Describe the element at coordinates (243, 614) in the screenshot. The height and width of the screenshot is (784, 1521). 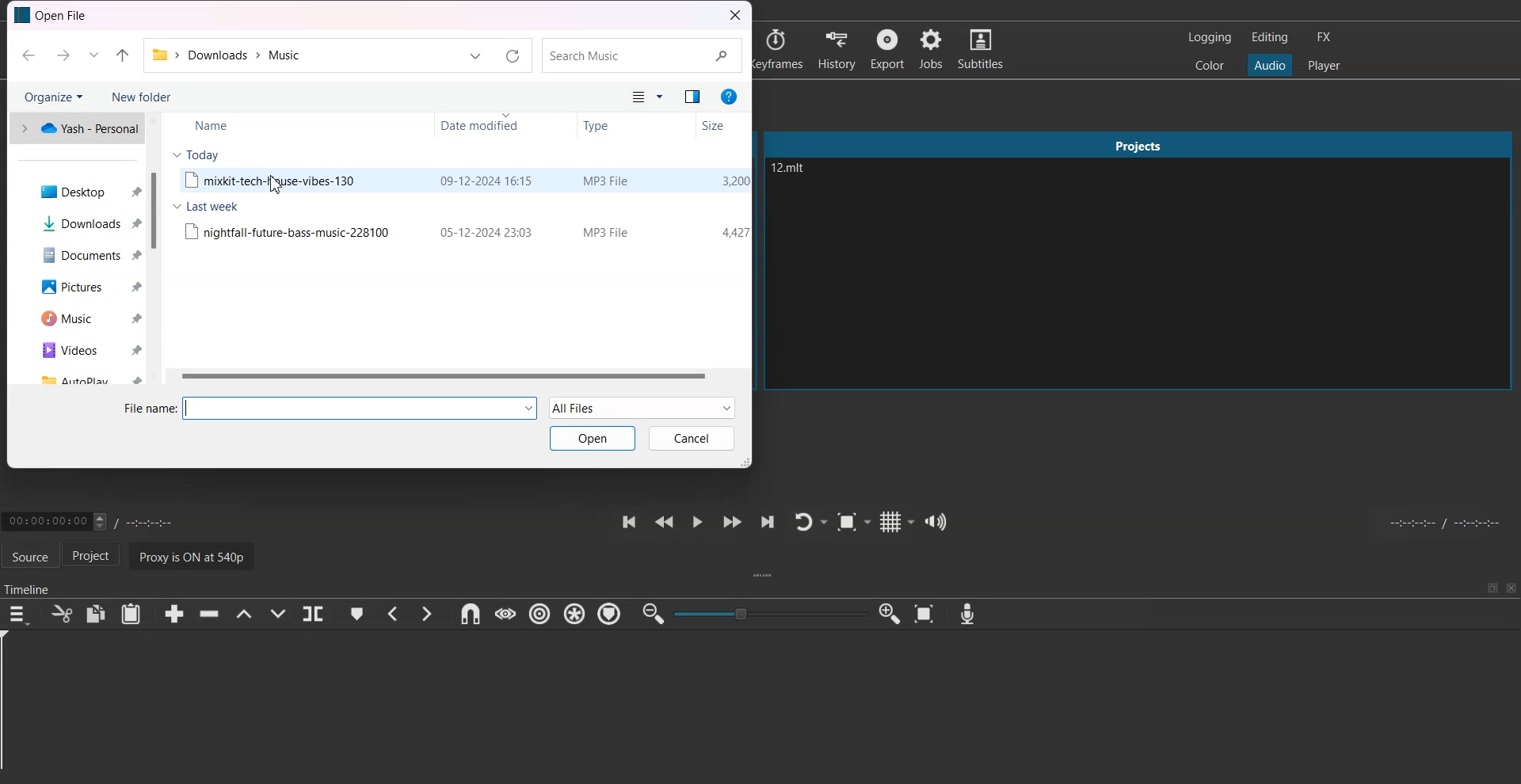
I see `Lift` at that location.